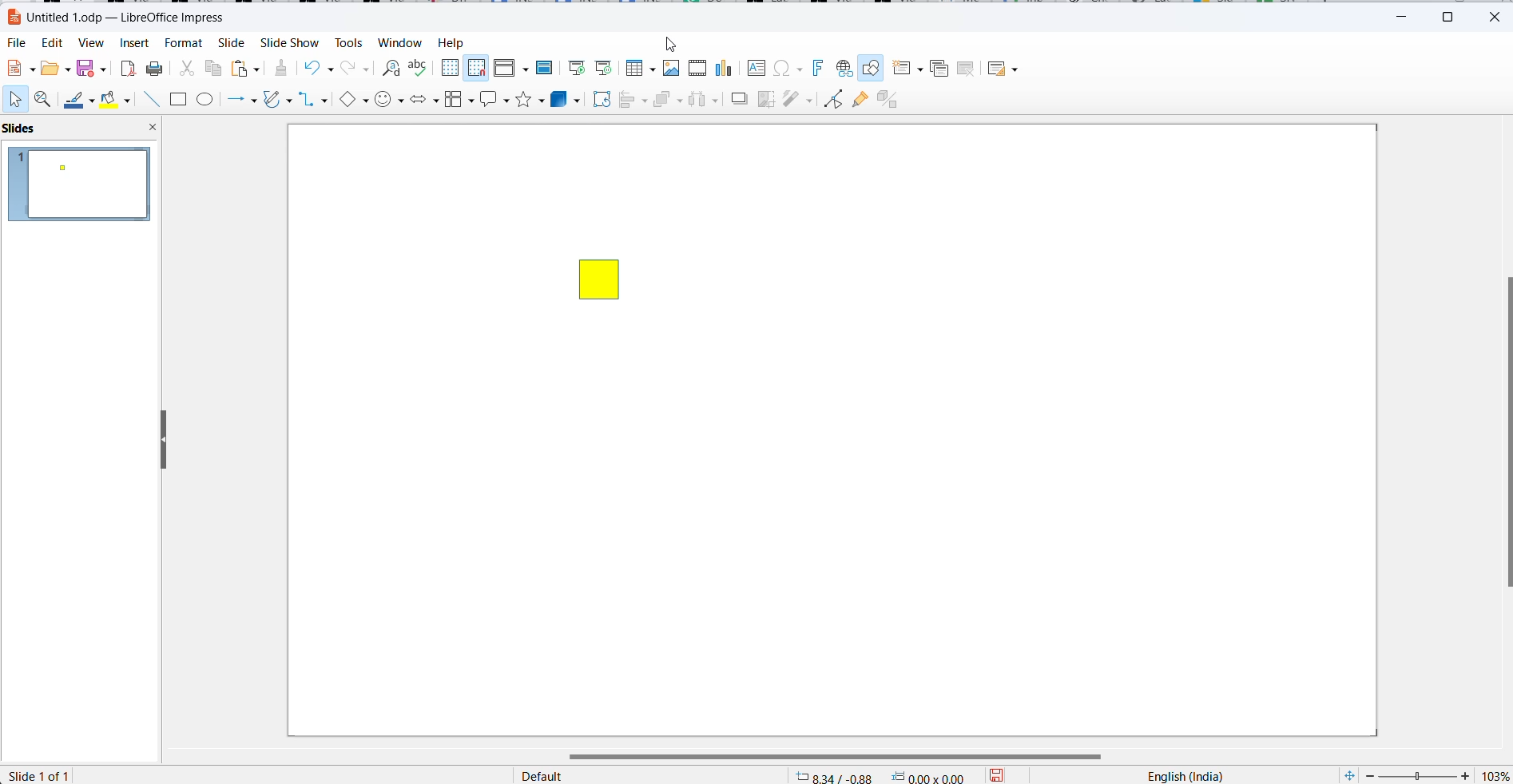 The height and width of the screenshot is (784, 1513). What do you see at coordinates (126, 69) in the screenshot?
I see `export as pdf` at bounding box center [126, 69].